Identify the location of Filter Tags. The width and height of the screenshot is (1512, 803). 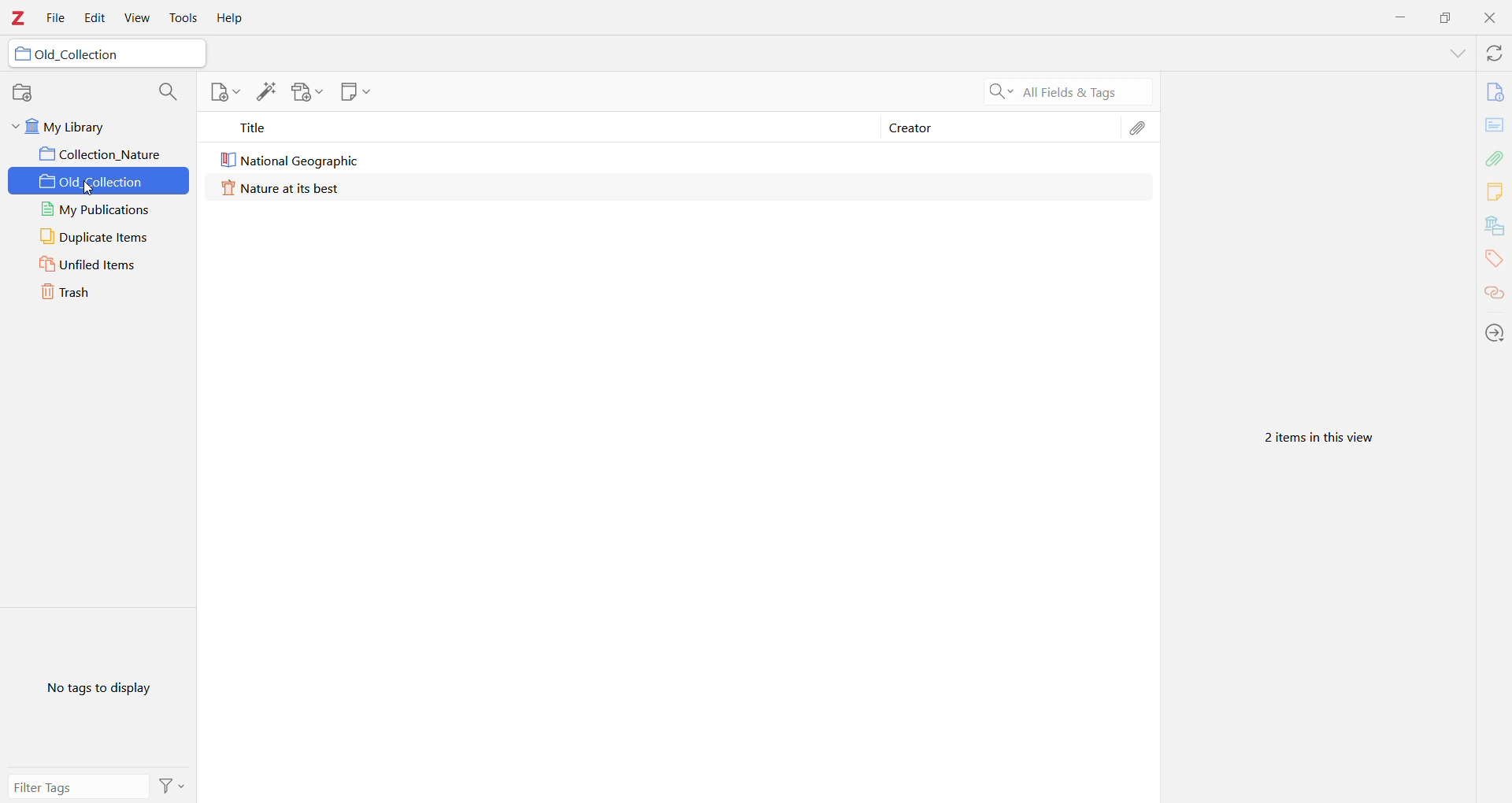
(80, 787).